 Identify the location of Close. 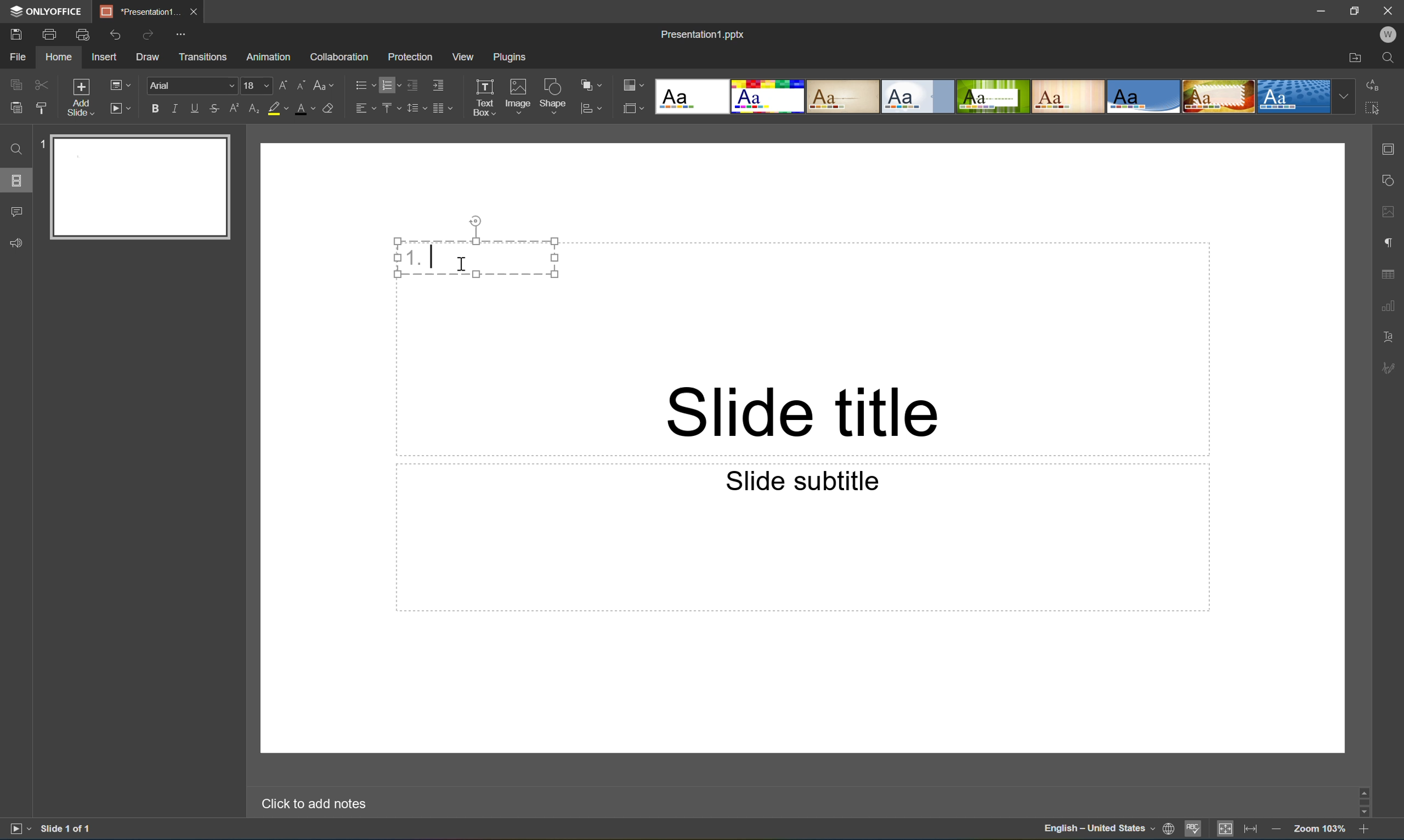
(1391, 10).